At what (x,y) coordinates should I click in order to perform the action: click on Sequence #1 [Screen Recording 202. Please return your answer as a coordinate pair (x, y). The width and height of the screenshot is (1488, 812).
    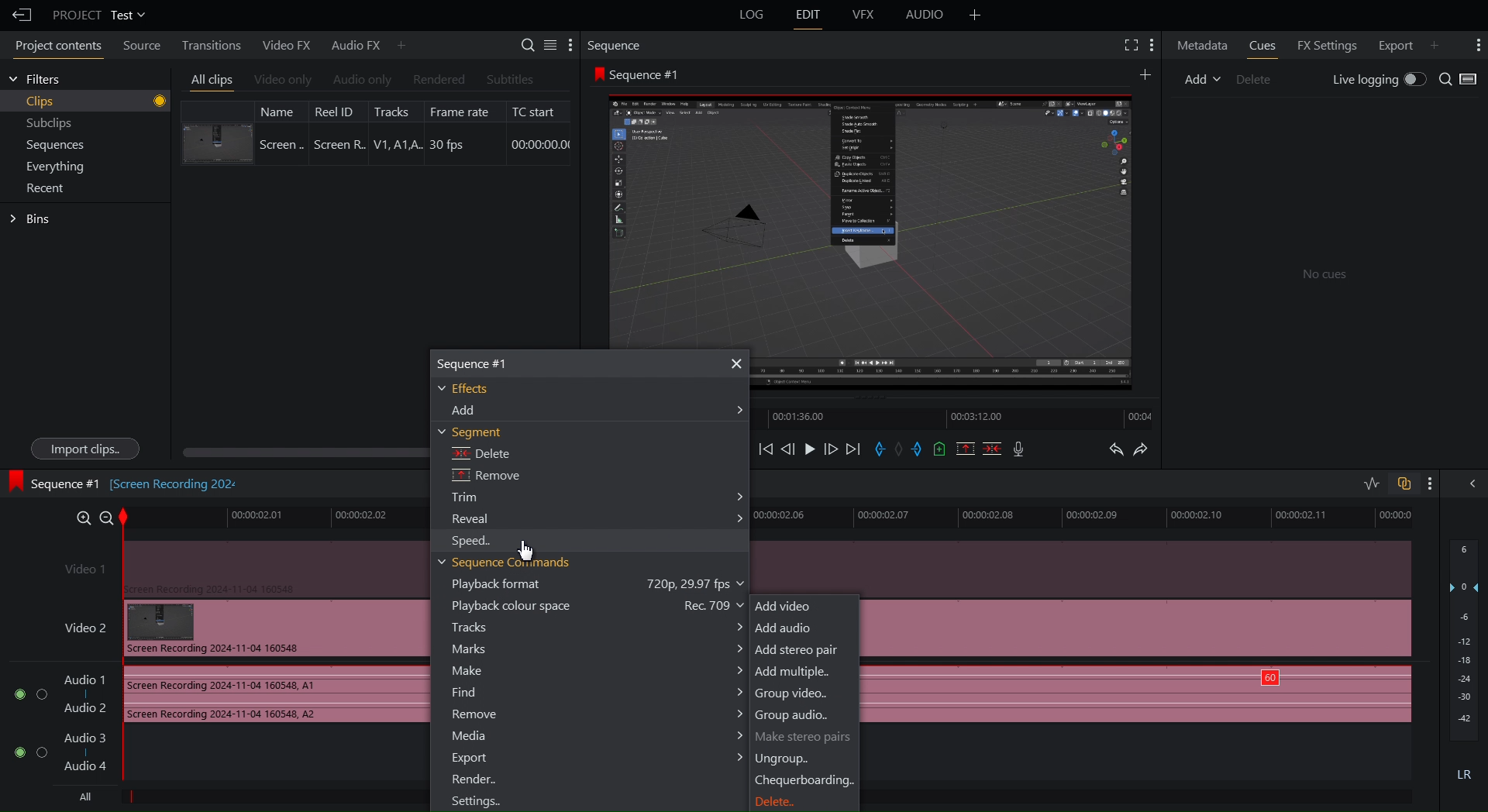
    Looking at the image, I should click on (126, 481).